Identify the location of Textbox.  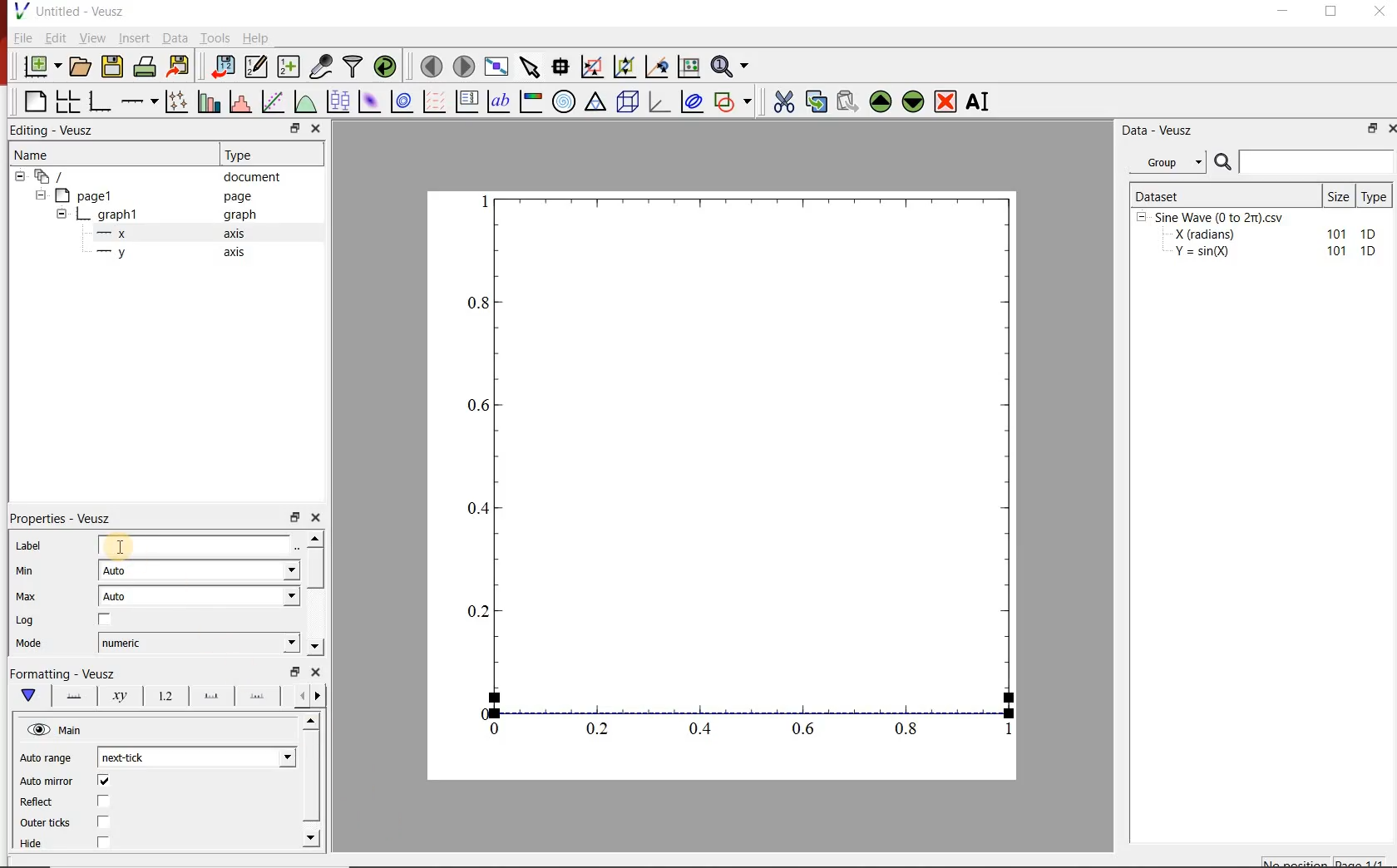
(195, 545).